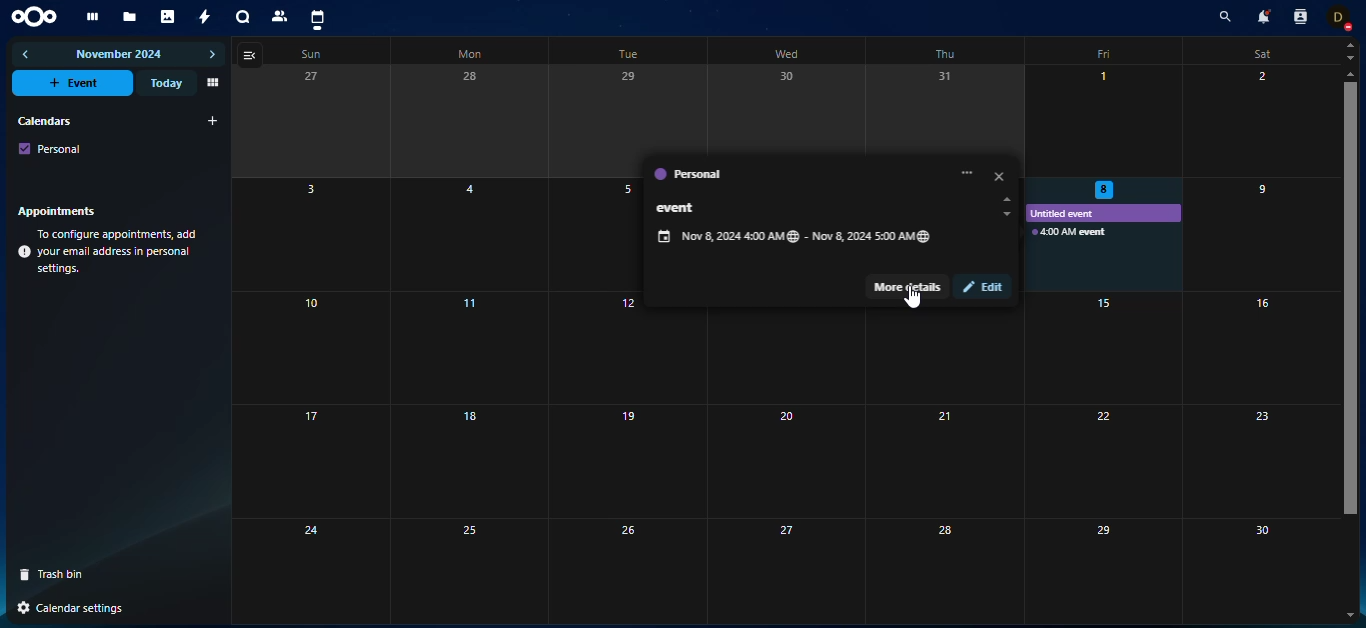  Describe the element at coordinates (1261, 16) in the screenshot. I see `notifications` at that location.